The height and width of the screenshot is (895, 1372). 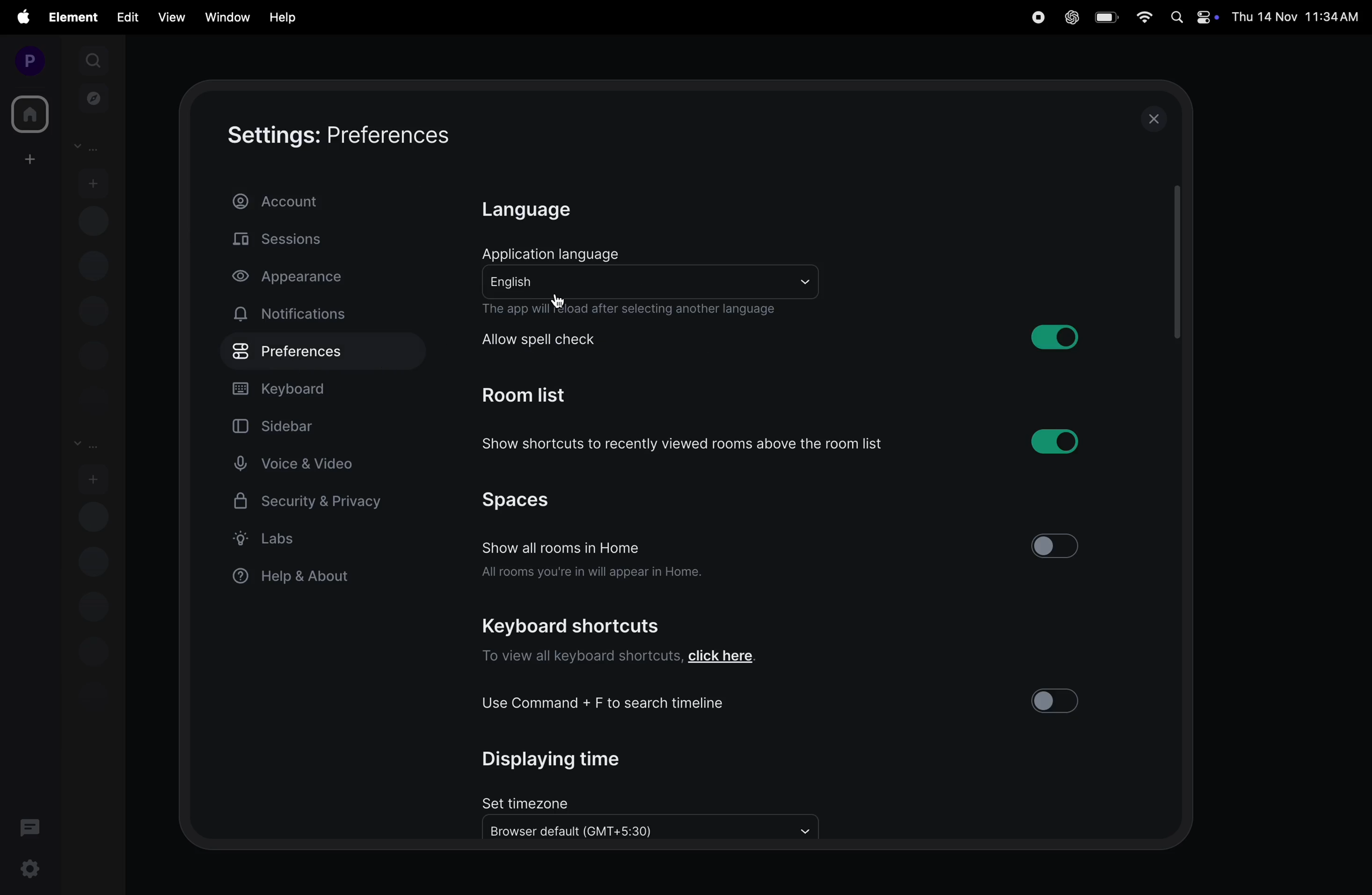 What do you see at coordinates (1069, 17) in the screenshot?
I see `chatgpt` at bounding box center [1069, 17].